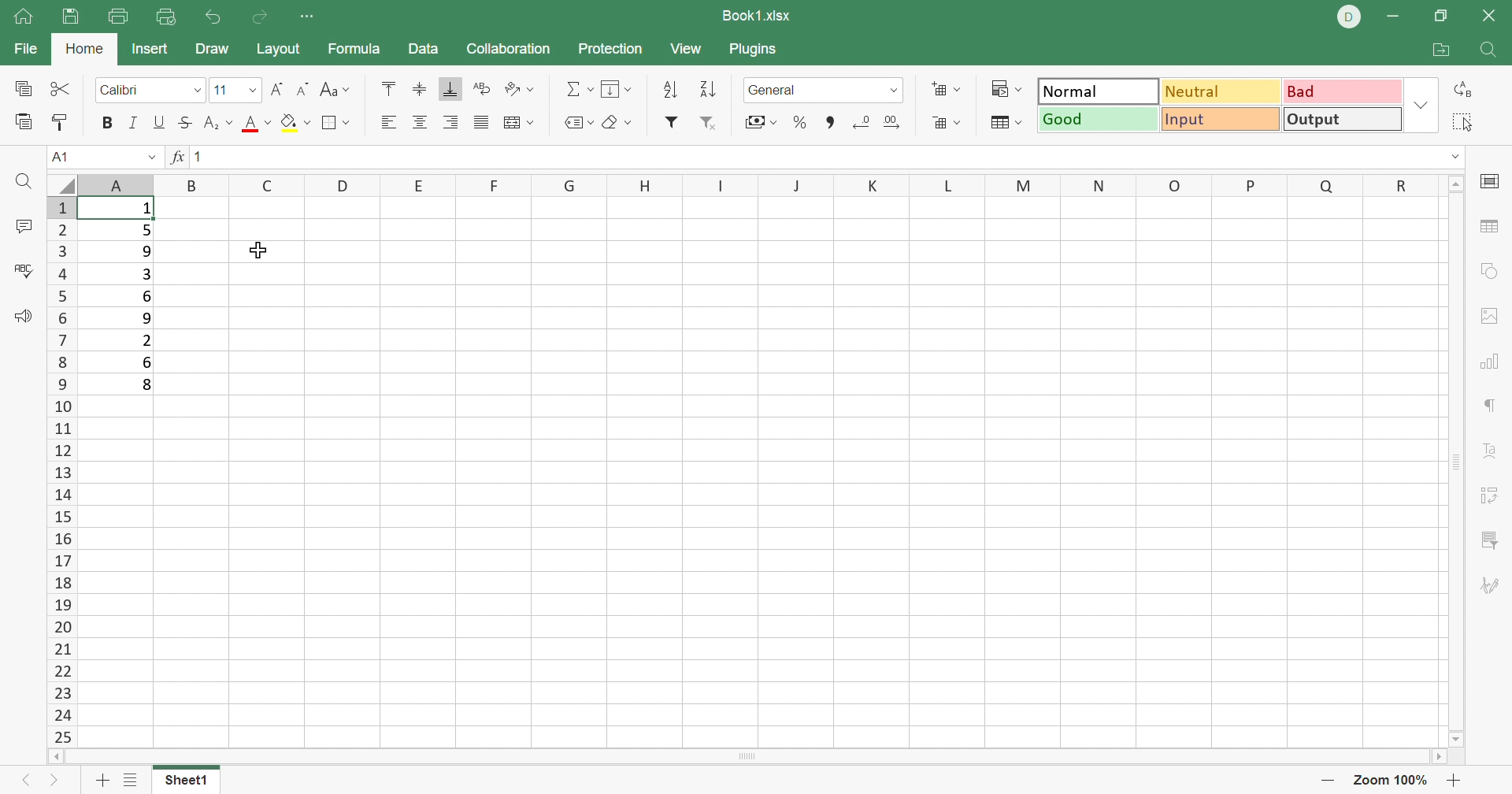  What do you see at coordinates (517, 124) in the screenshot?
I see `Merge and center` at bounding box center [517, 124].